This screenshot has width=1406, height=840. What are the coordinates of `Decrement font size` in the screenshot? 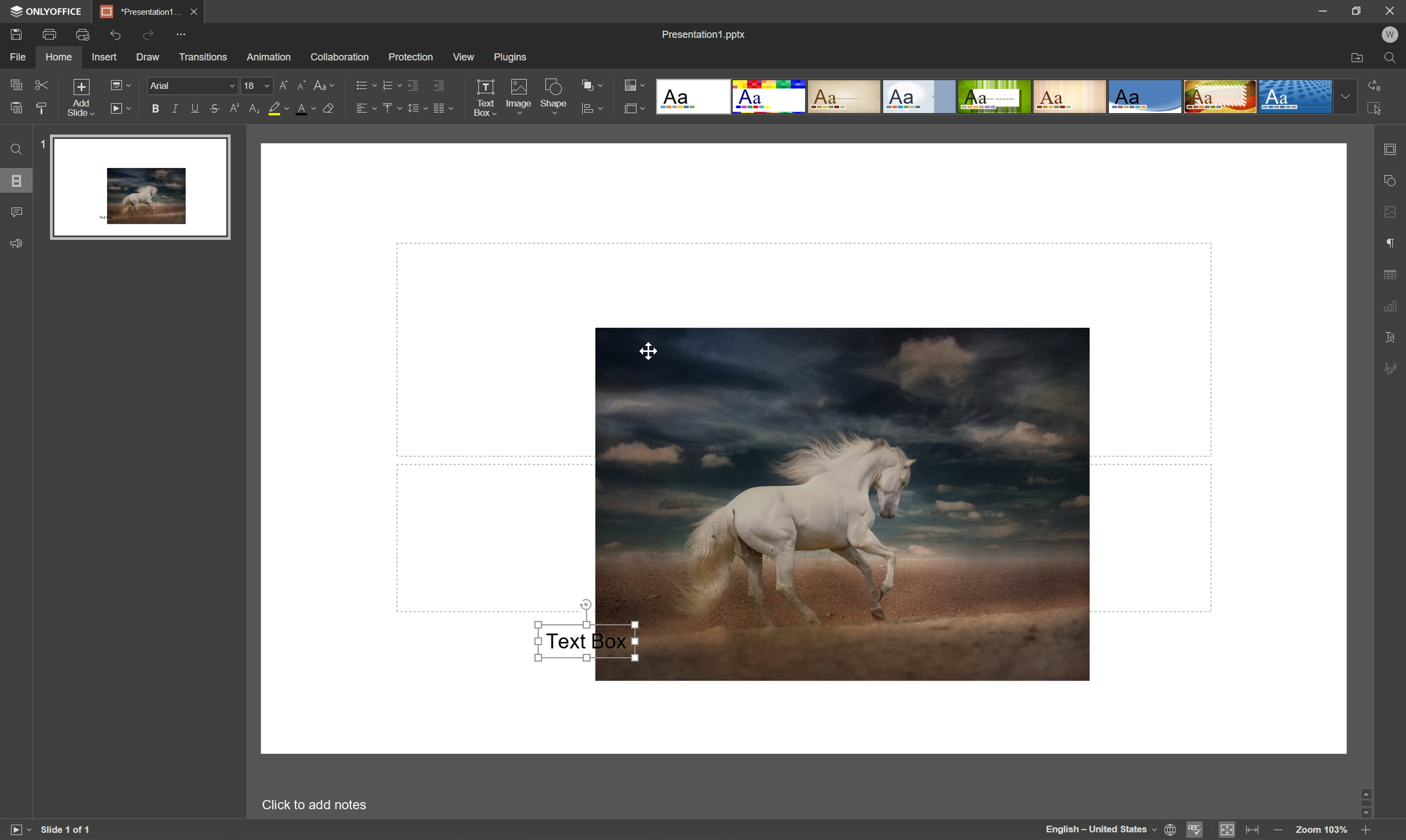 It's located at (304, 87).